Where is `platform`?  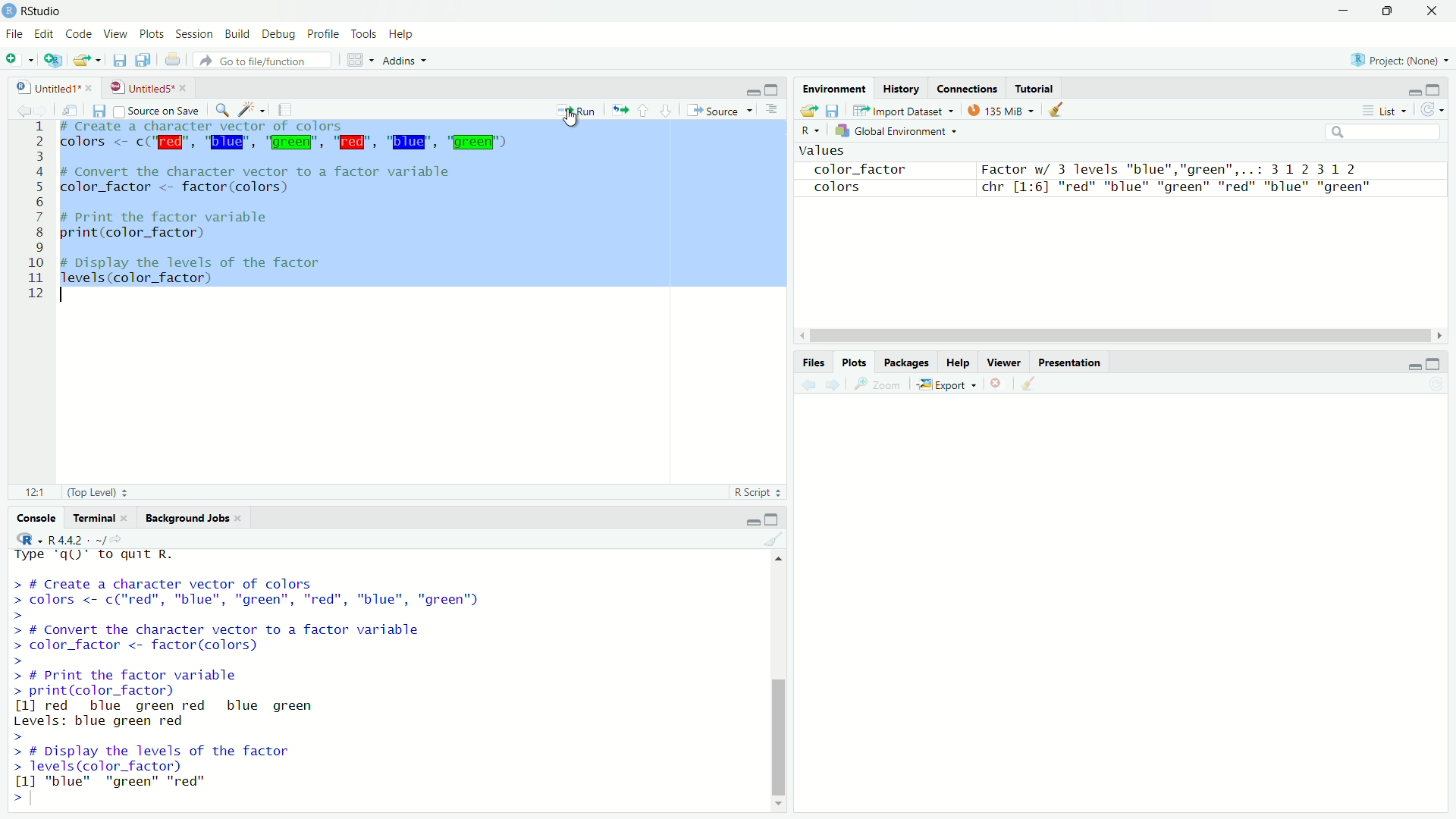 platform is located at coordinates (161, 557).